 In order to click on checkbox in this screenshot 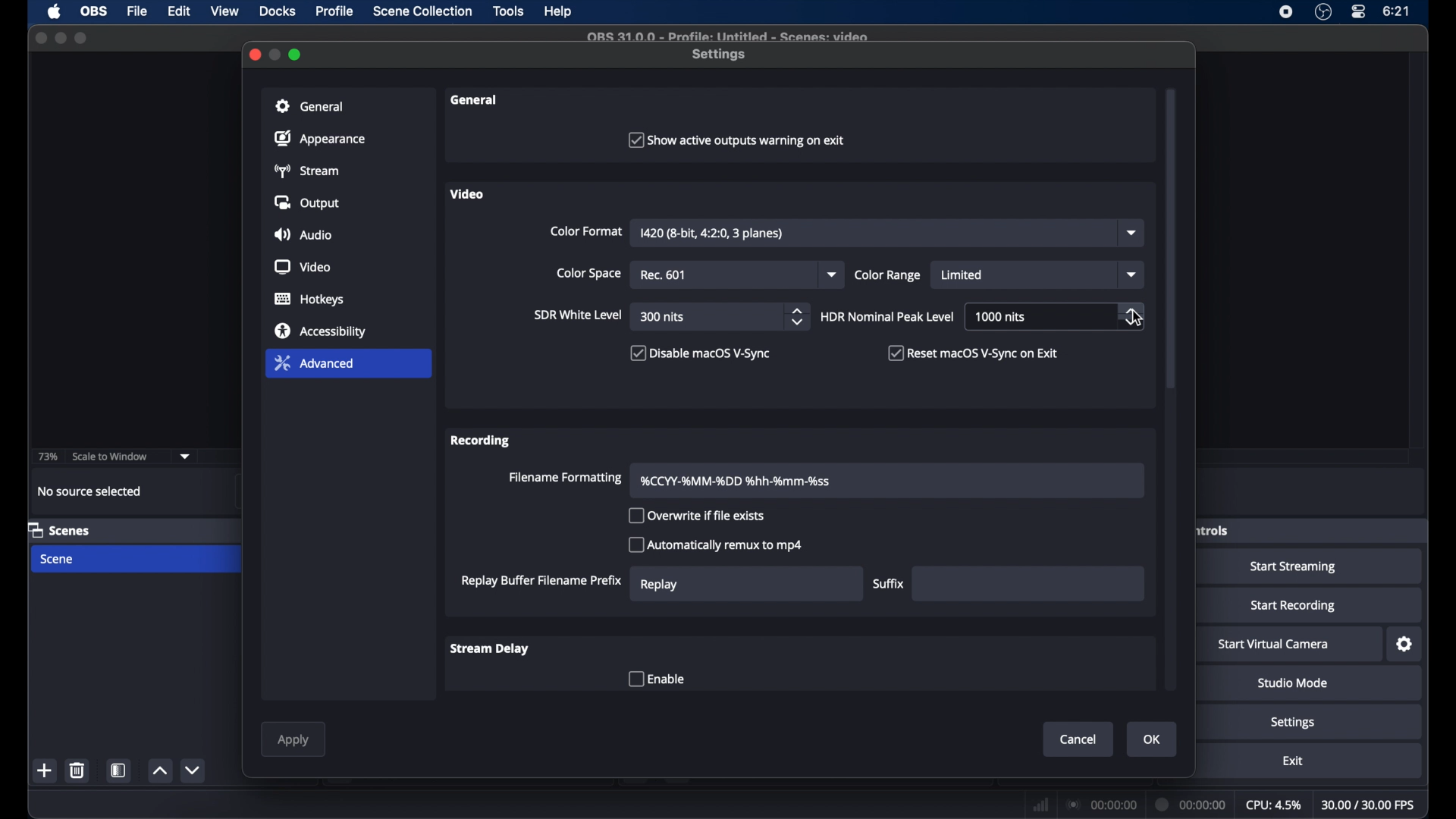, I will do `click(656, 679)`.